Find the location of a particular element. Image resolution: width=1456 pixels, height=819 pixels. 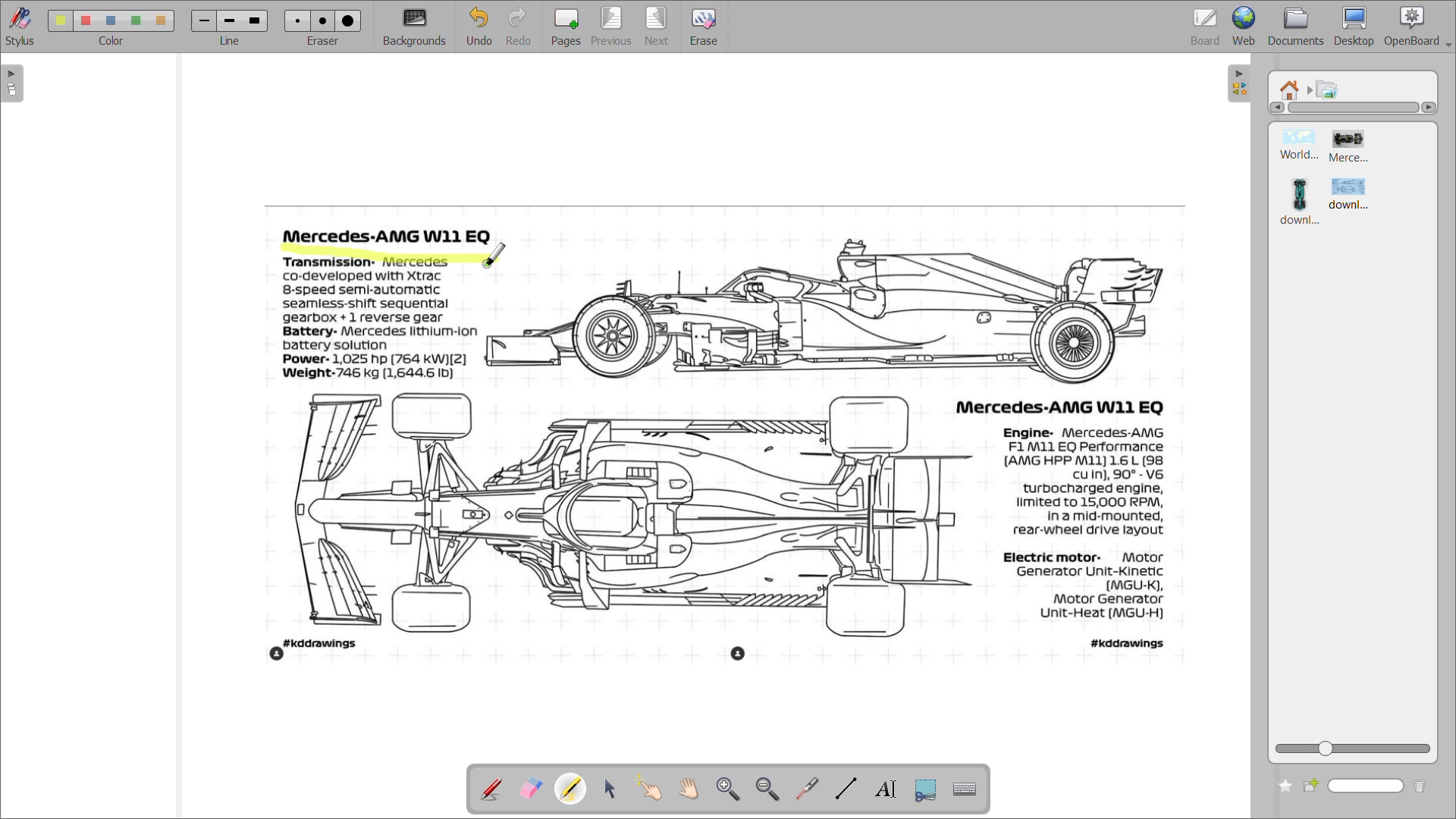

select and modify objects is located at coordinates (615, 789).